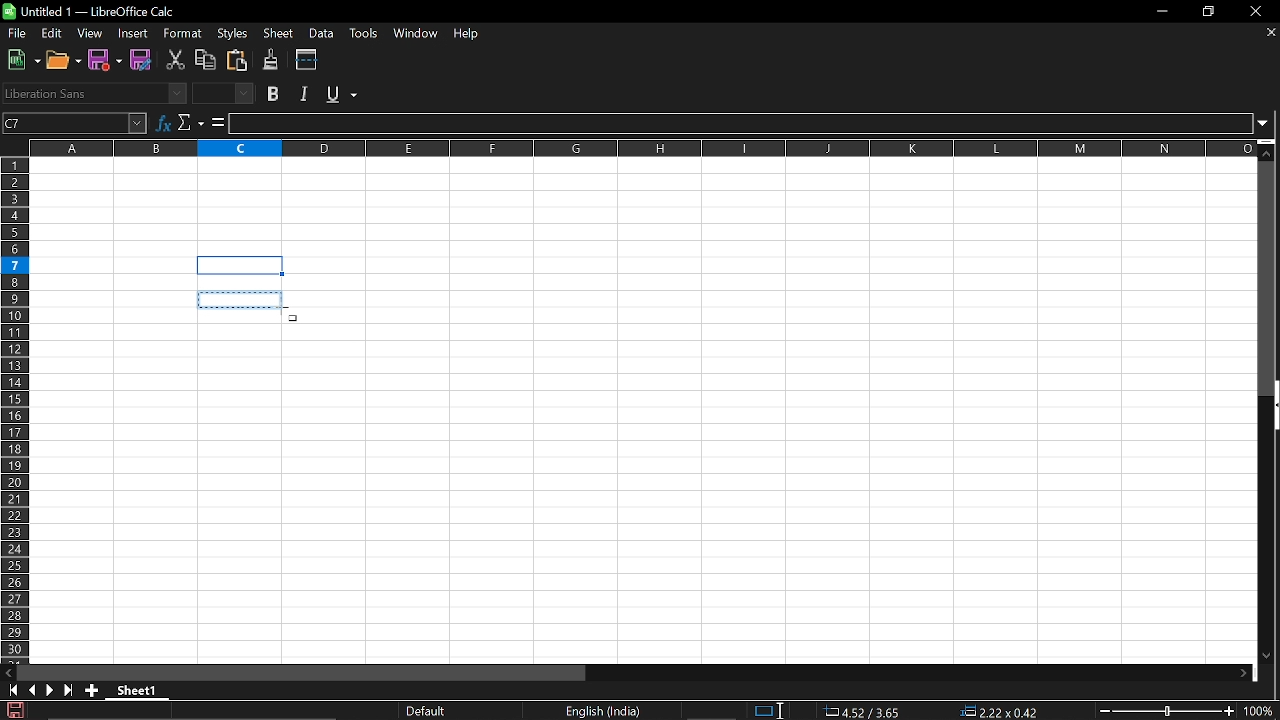  What do you see at coordinates (1168, 711) in the screenshot?
I see `Change Zoom` at bounding box center [1168, 711].